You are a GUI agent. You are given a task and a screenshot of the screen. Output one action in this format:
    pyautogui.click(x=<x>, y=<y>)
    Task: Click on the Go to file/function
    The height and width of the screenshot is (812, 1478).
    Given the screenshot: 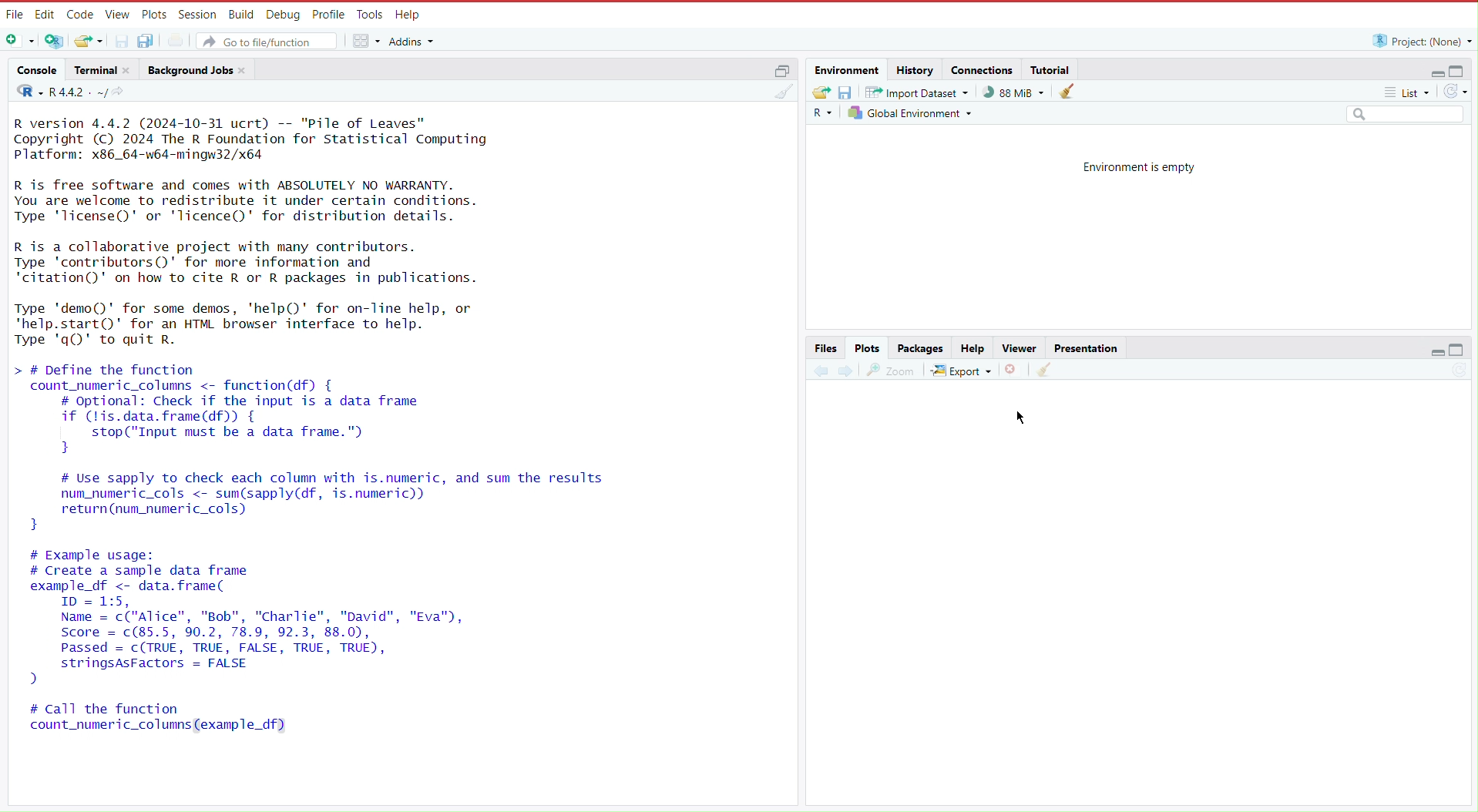 What is the action you would take?
    pyautogui.click(x=268, y=39)
    